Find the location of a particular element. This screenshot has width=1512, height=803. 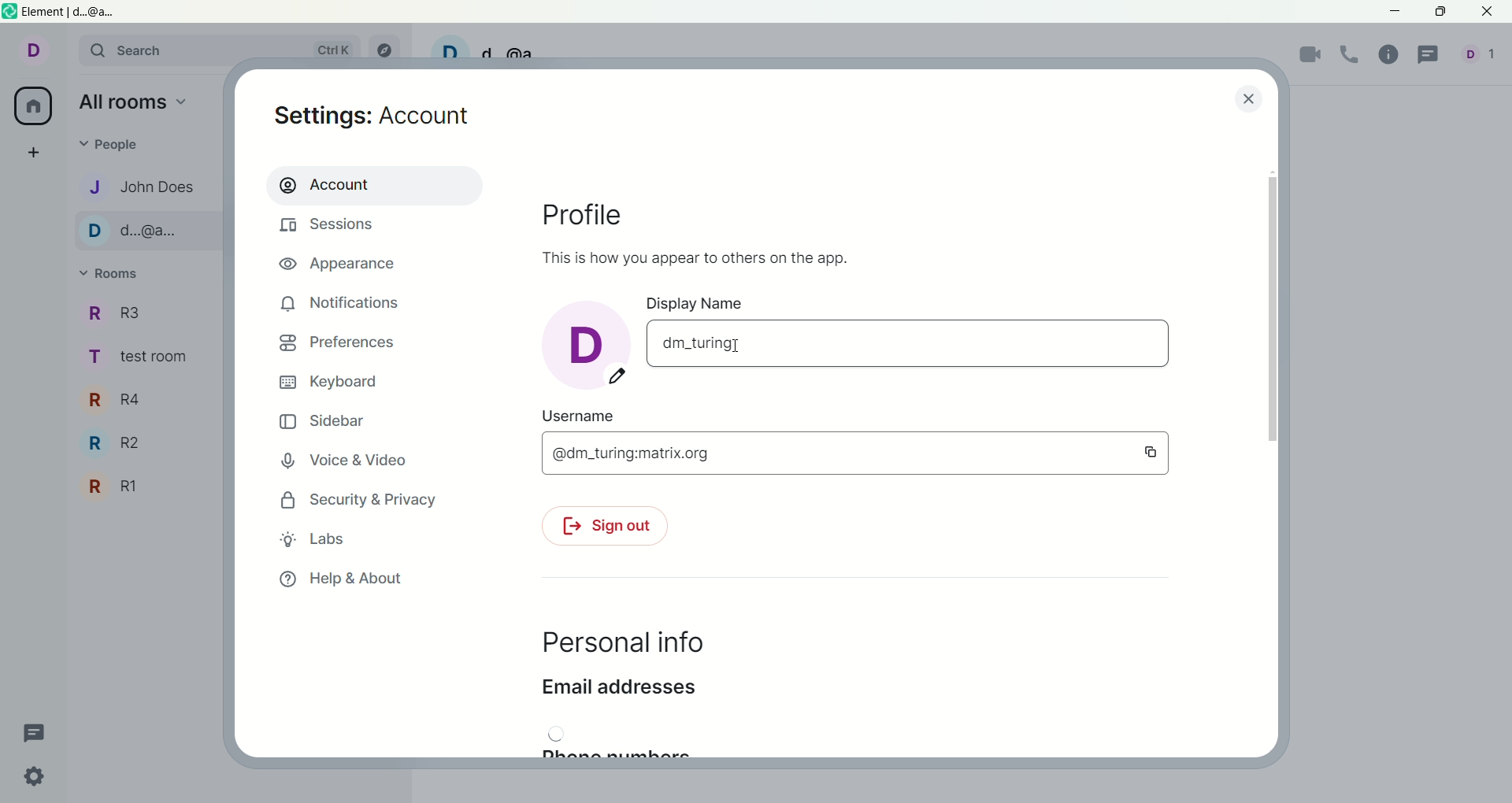

rooms is located at coordinates (115, 275).